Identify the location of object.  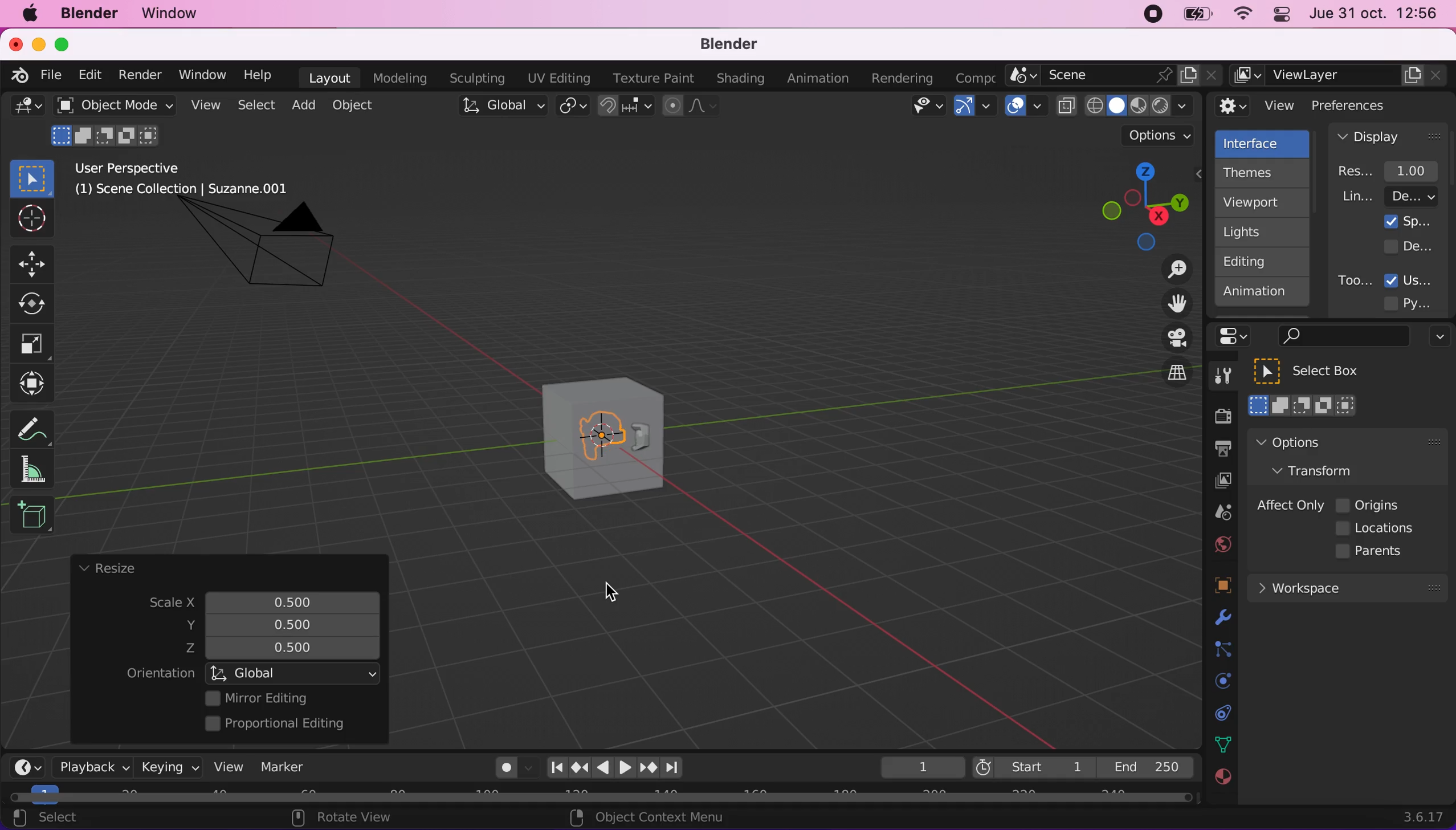
(356, 105).